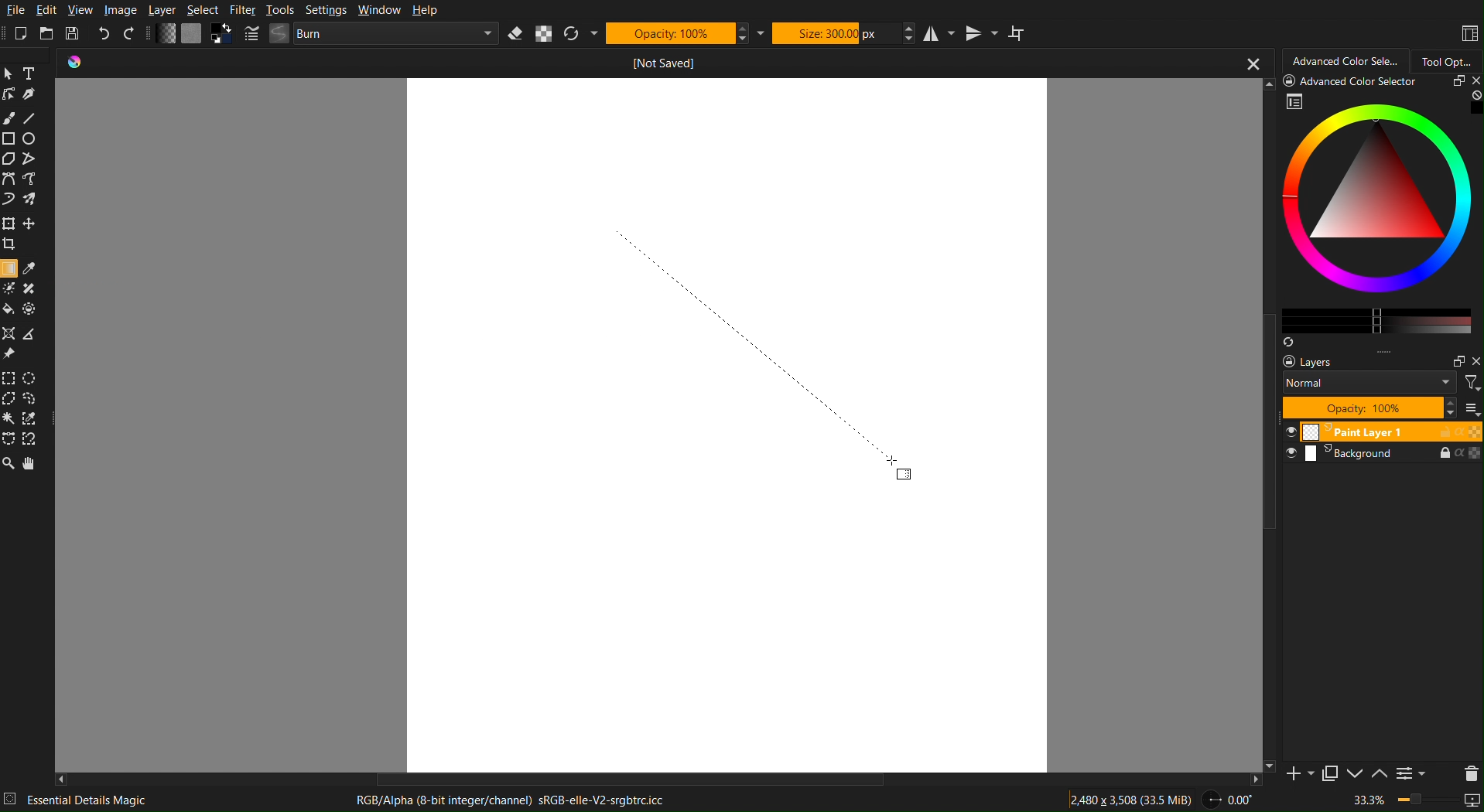 This screenshot has height=812, width=1484. Describe the element at coordinates (980, 32) in the screenshot. I see `Vertical Mirror` at that location.